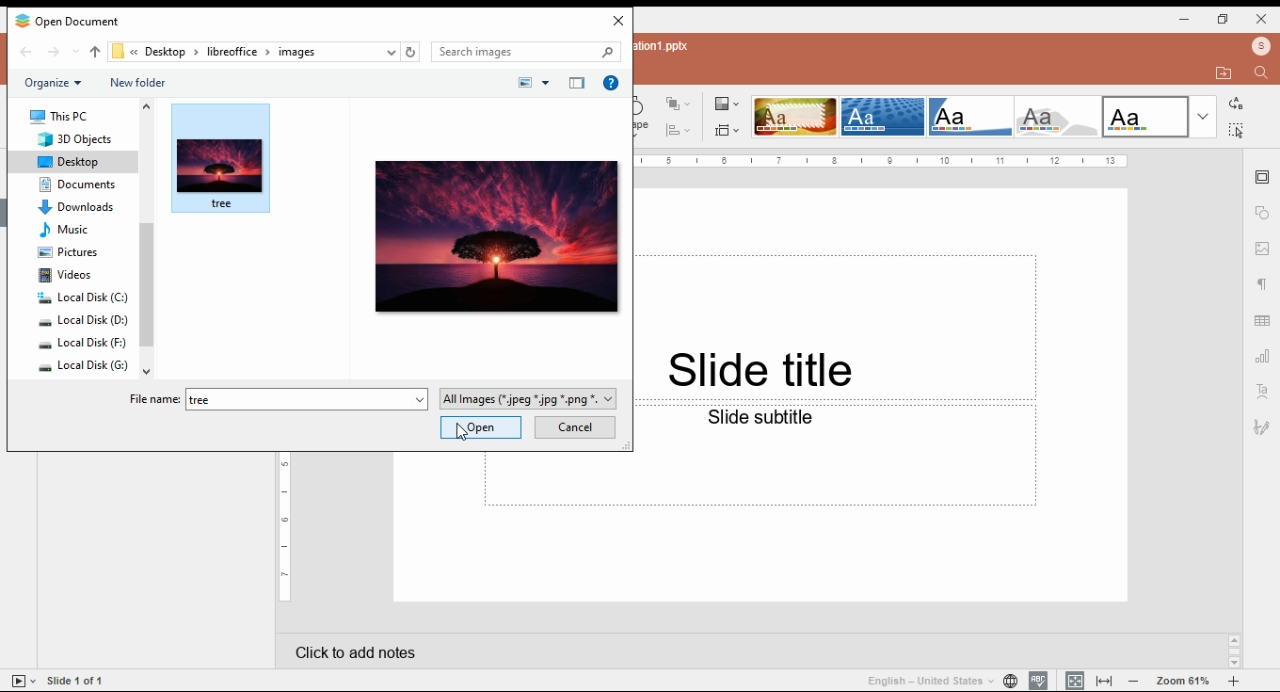 The image size is (1280, 692). What do you see at coordinates (1185, 20) in the screenshot?
I see `minimize` at bounding box center [1185, 20].